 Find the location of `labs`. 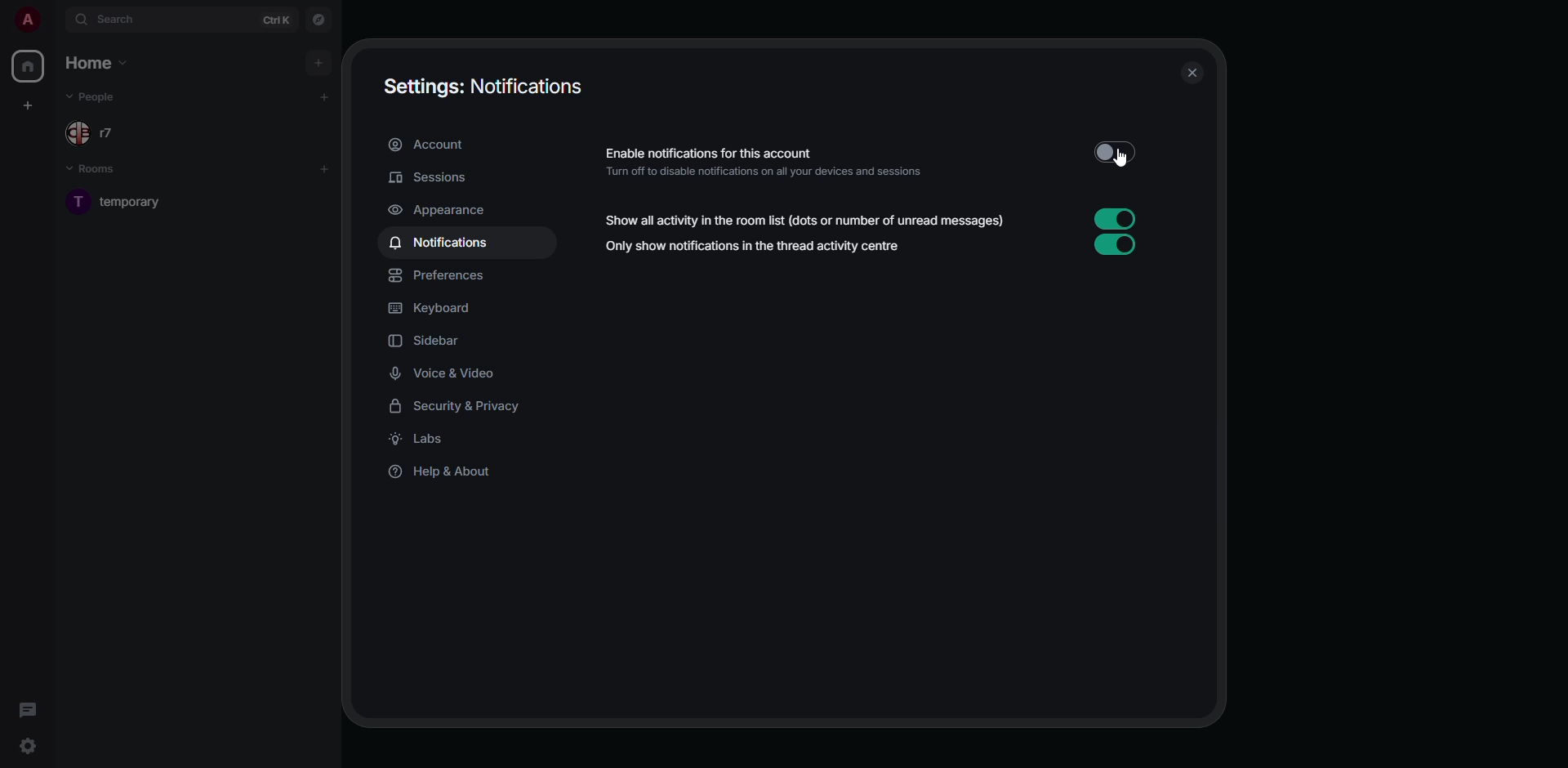

labs is located at coordinates (423, 440).